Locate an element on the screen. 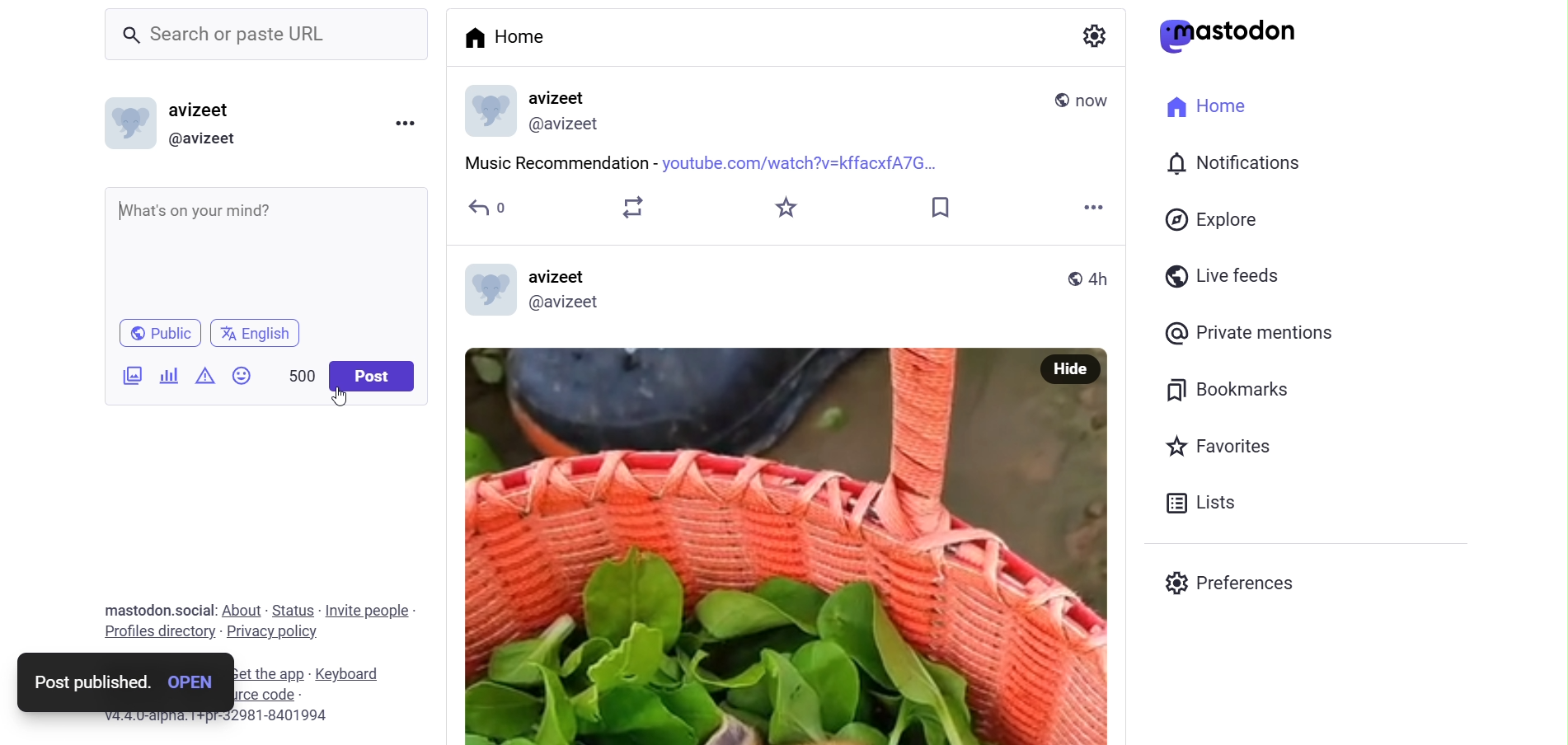 The image size is (1568, 745). reply is located at coordinates (482, 209).